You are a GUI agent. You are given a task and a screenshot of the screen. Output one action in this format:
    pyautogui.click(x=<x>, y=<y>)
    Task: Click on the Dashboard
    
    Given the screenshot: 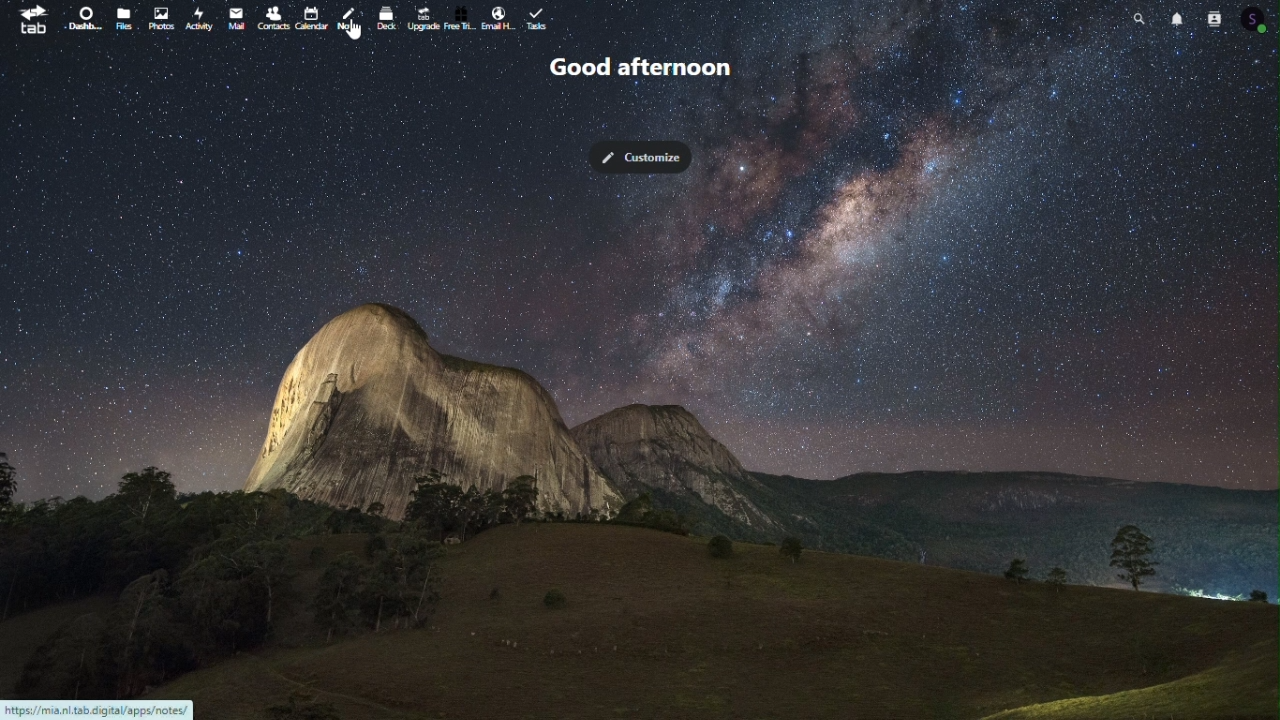 What is the action you would take?
    pyautogui.click(x=79, y=18)
    